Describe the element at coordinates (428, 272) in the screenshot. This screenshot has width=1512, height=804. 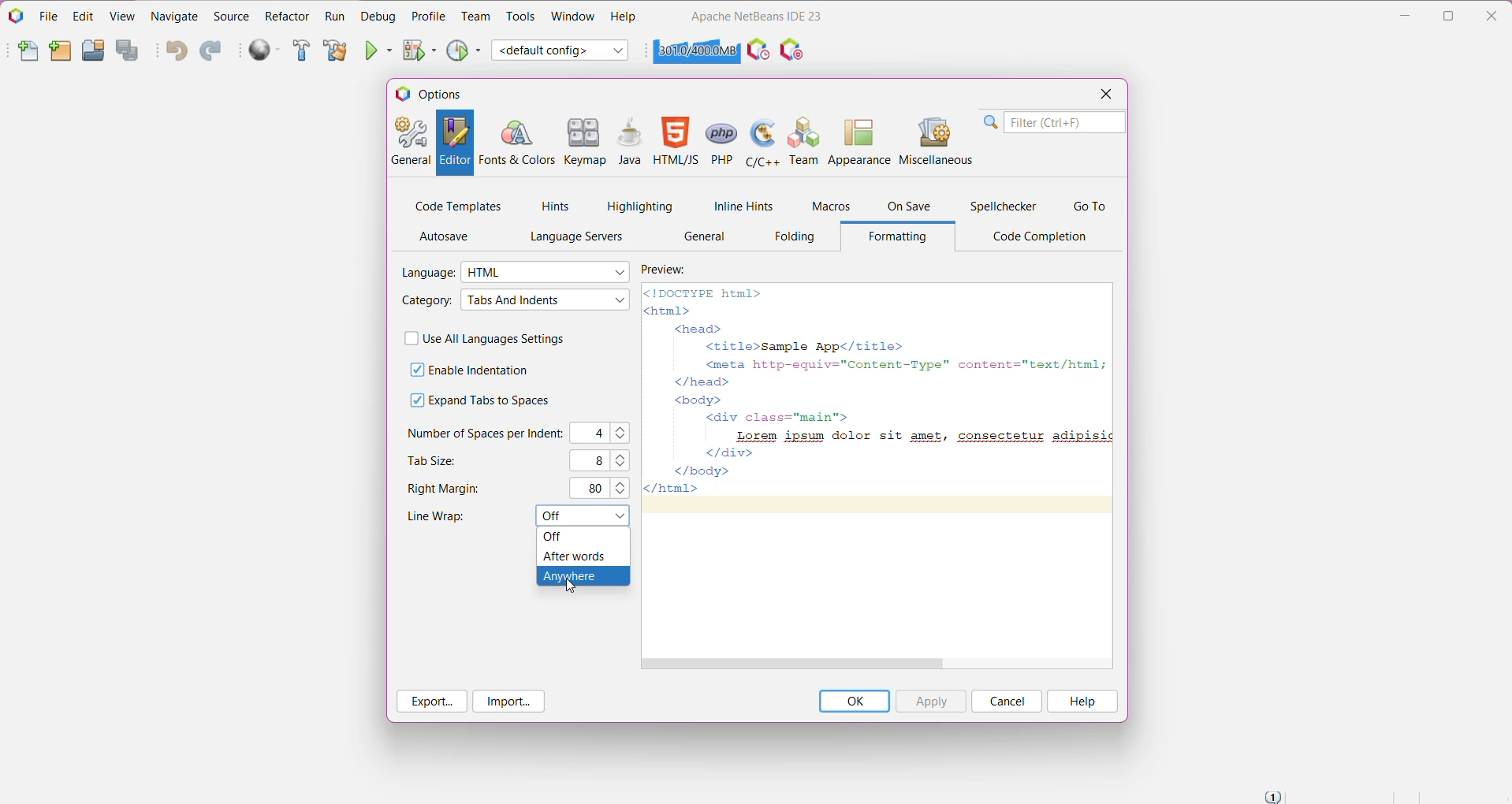
I see `Language` at that location.